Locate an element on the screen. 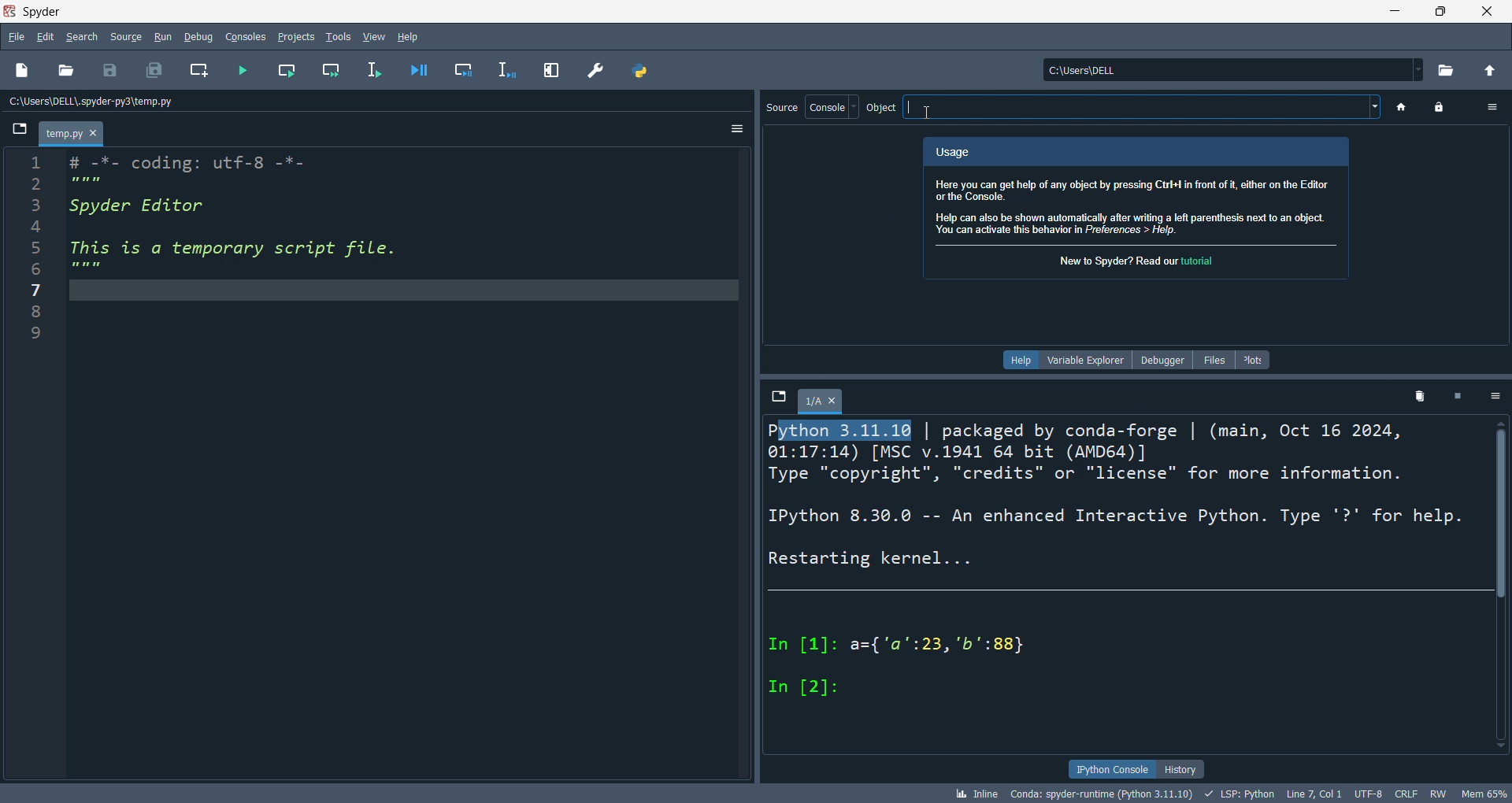 This screenshot has height=803, width=1512. preferences is located at coordinates (594, 72).